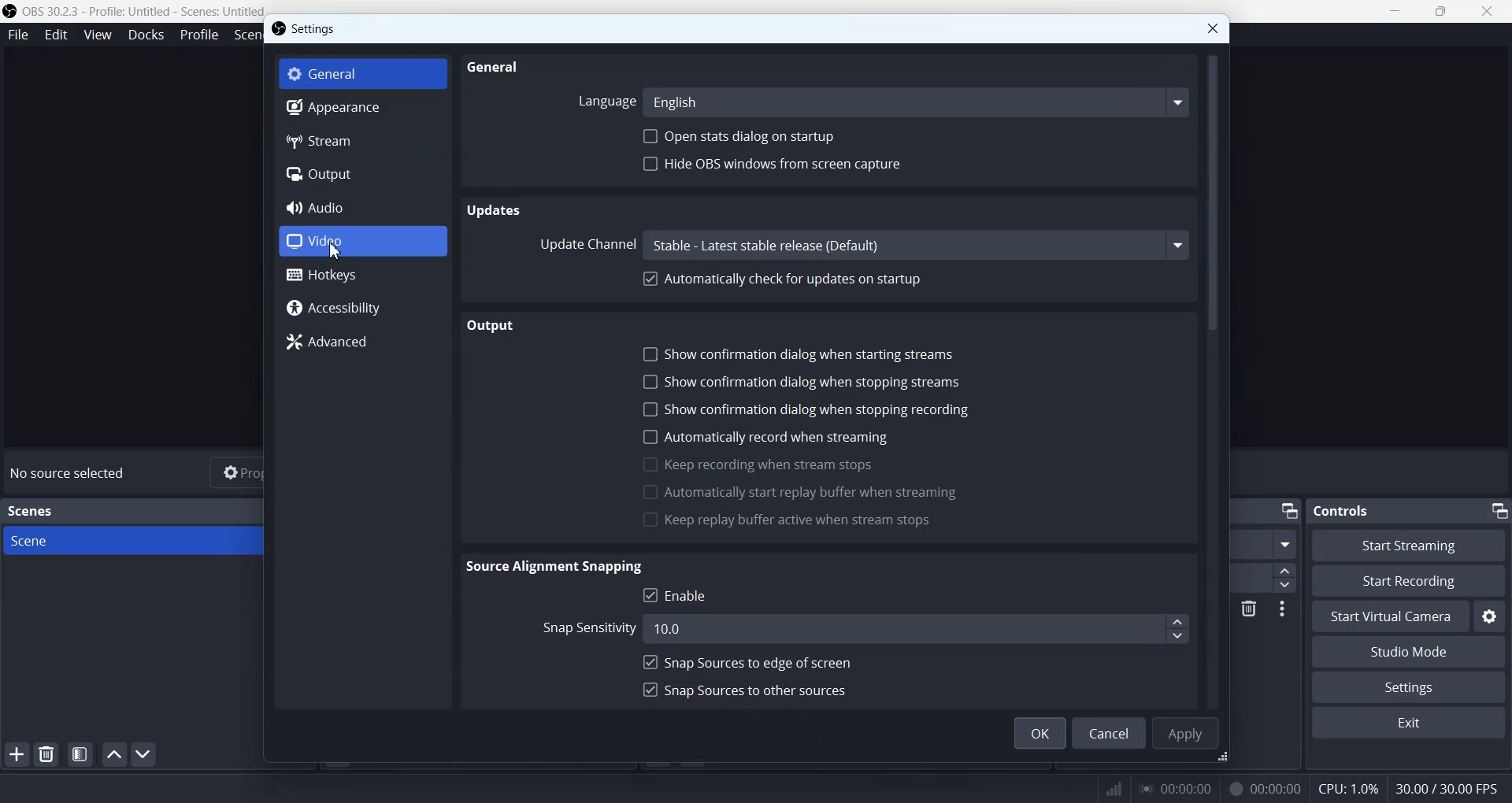 The height and width of the screenshot is (803, 1512). What do you see at coordinates (364, 343) in the screenshot?
I see `Advanced` at bounding box center [364, 343].